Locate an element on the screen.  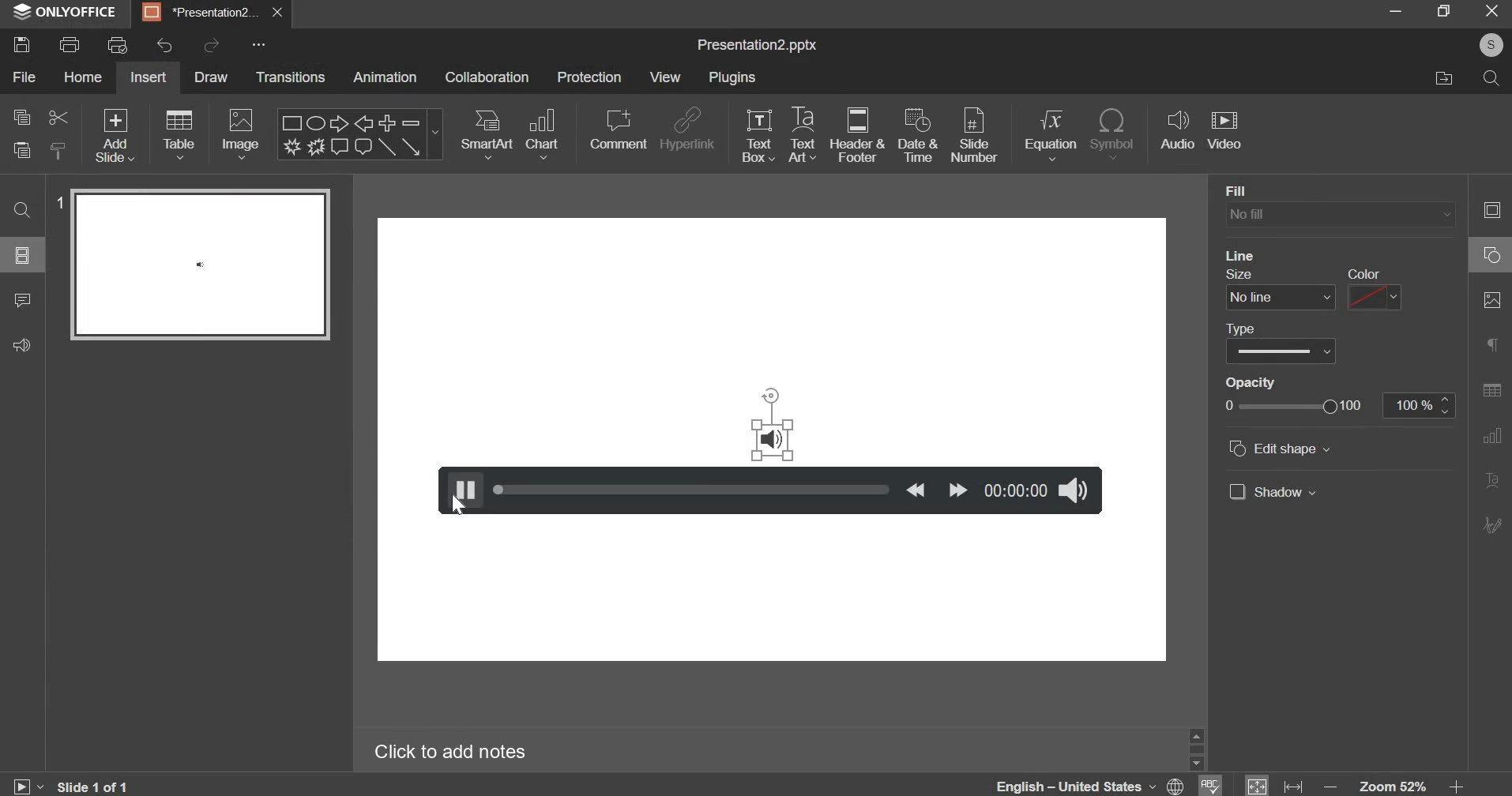
spelling is located at coordinates (1209, 785).